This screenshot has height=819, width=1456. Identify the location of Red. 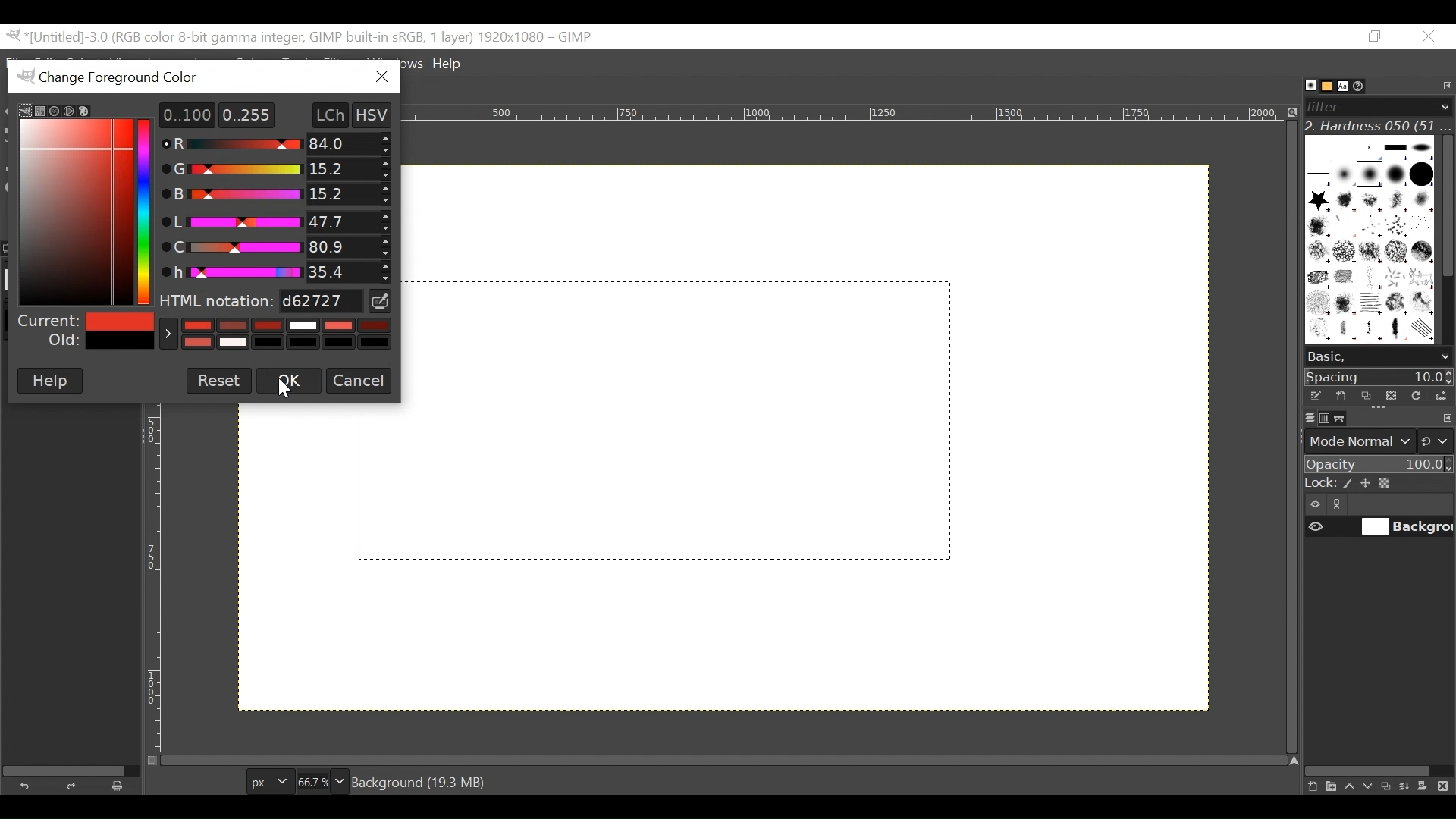
(279, 145).